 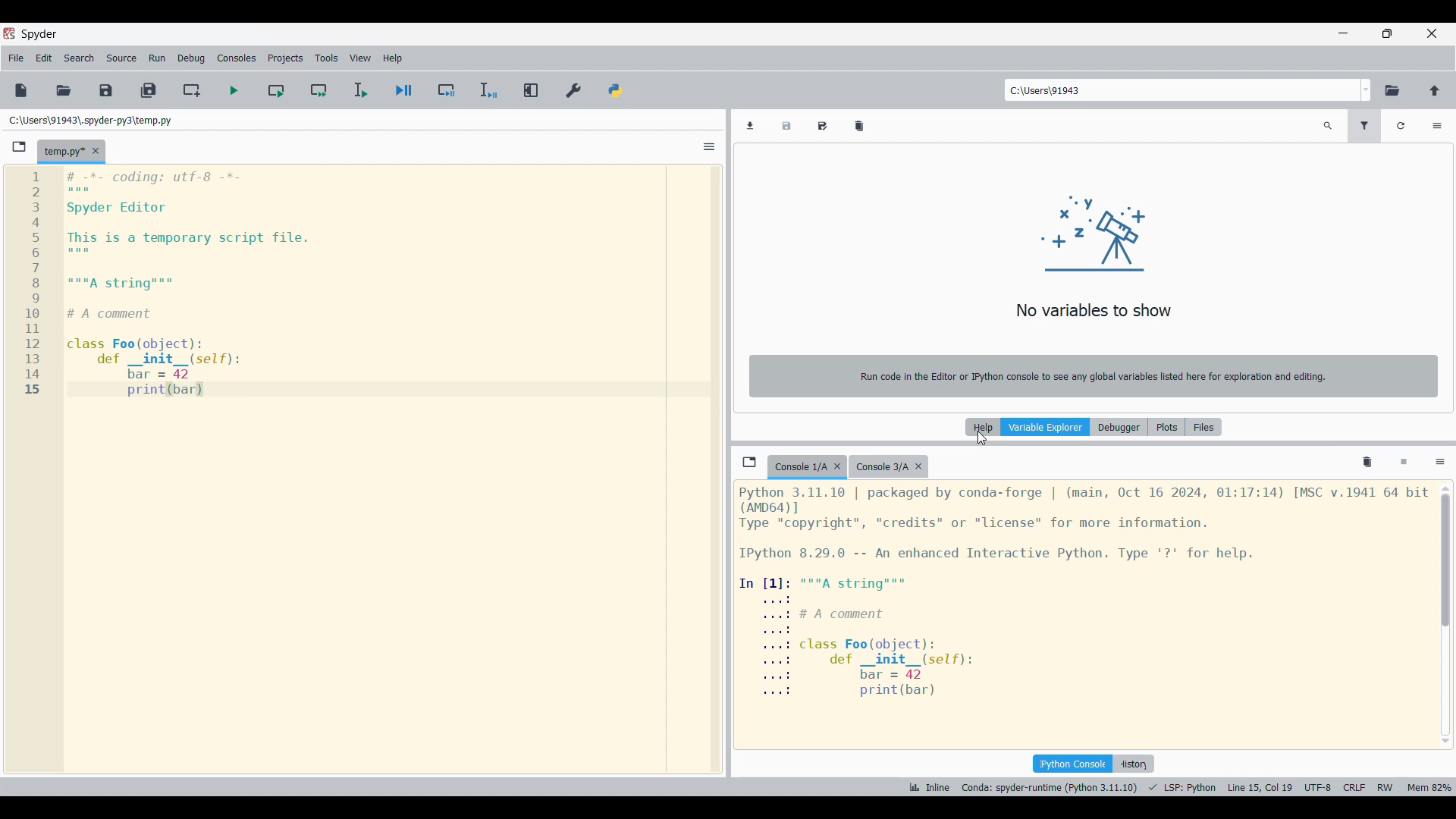 I want to click on Import data, so click(x=750, y=126).